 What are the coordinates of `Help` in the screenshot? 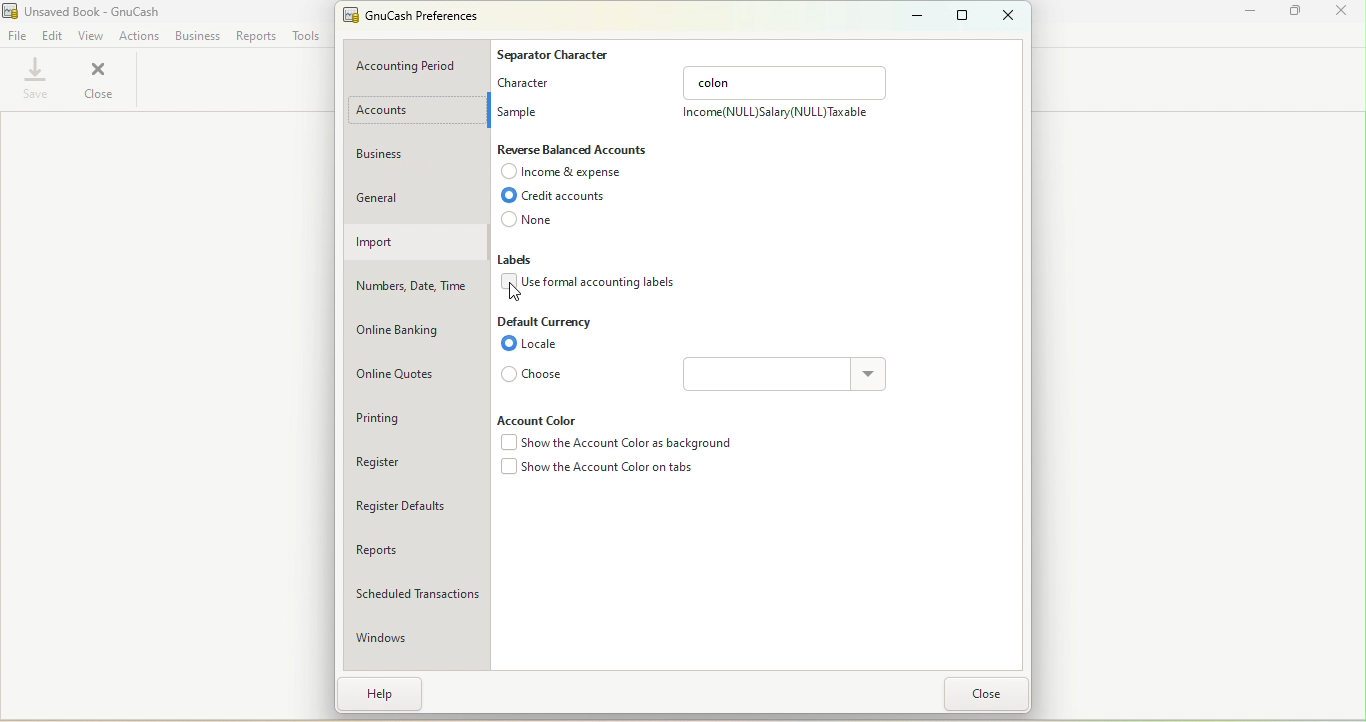 It's located at (382, 693).